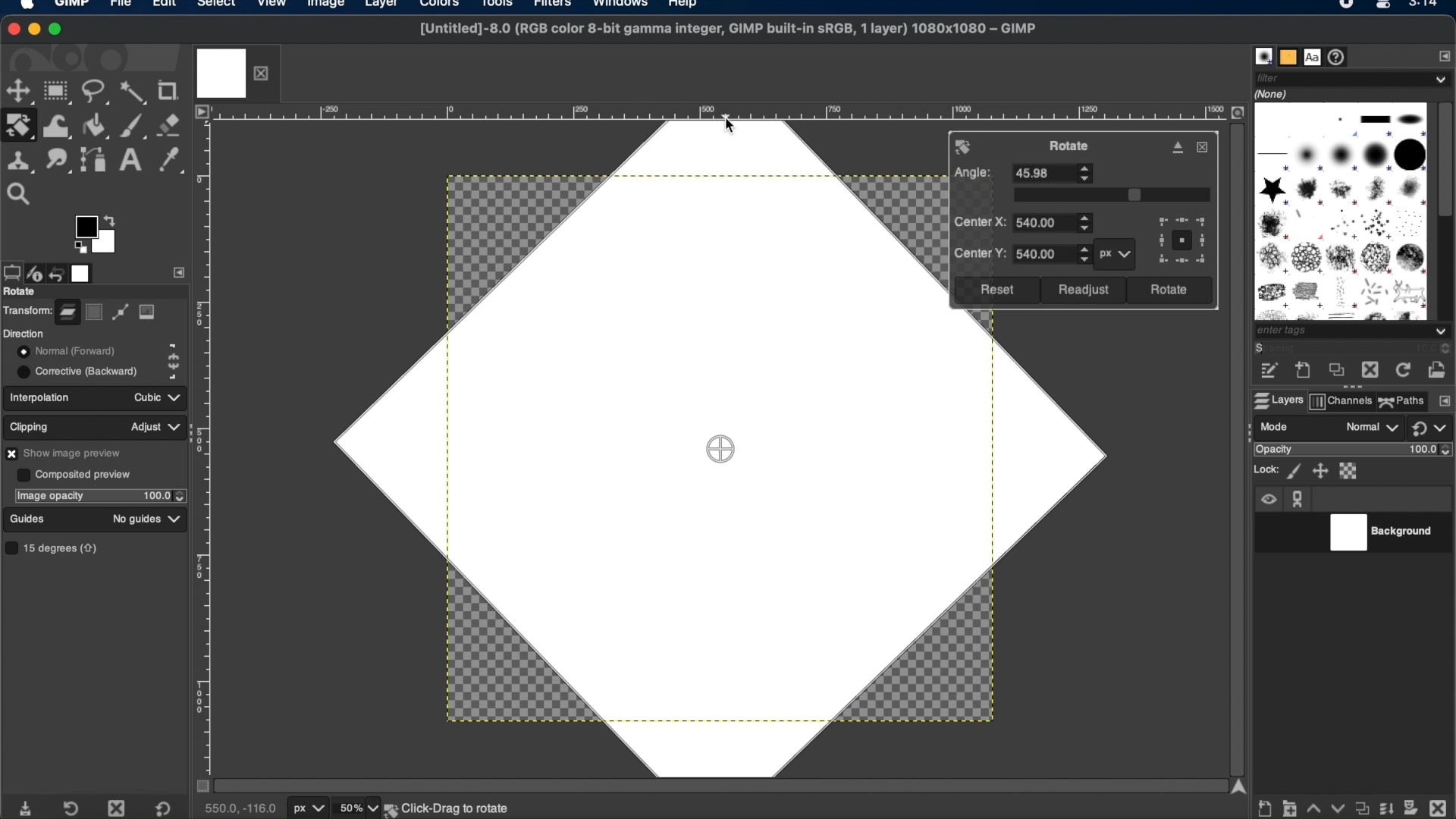  What do you see at coordinates (722, 450) in the screenshot?
I see `drag center` at bounding box center [722, 450].